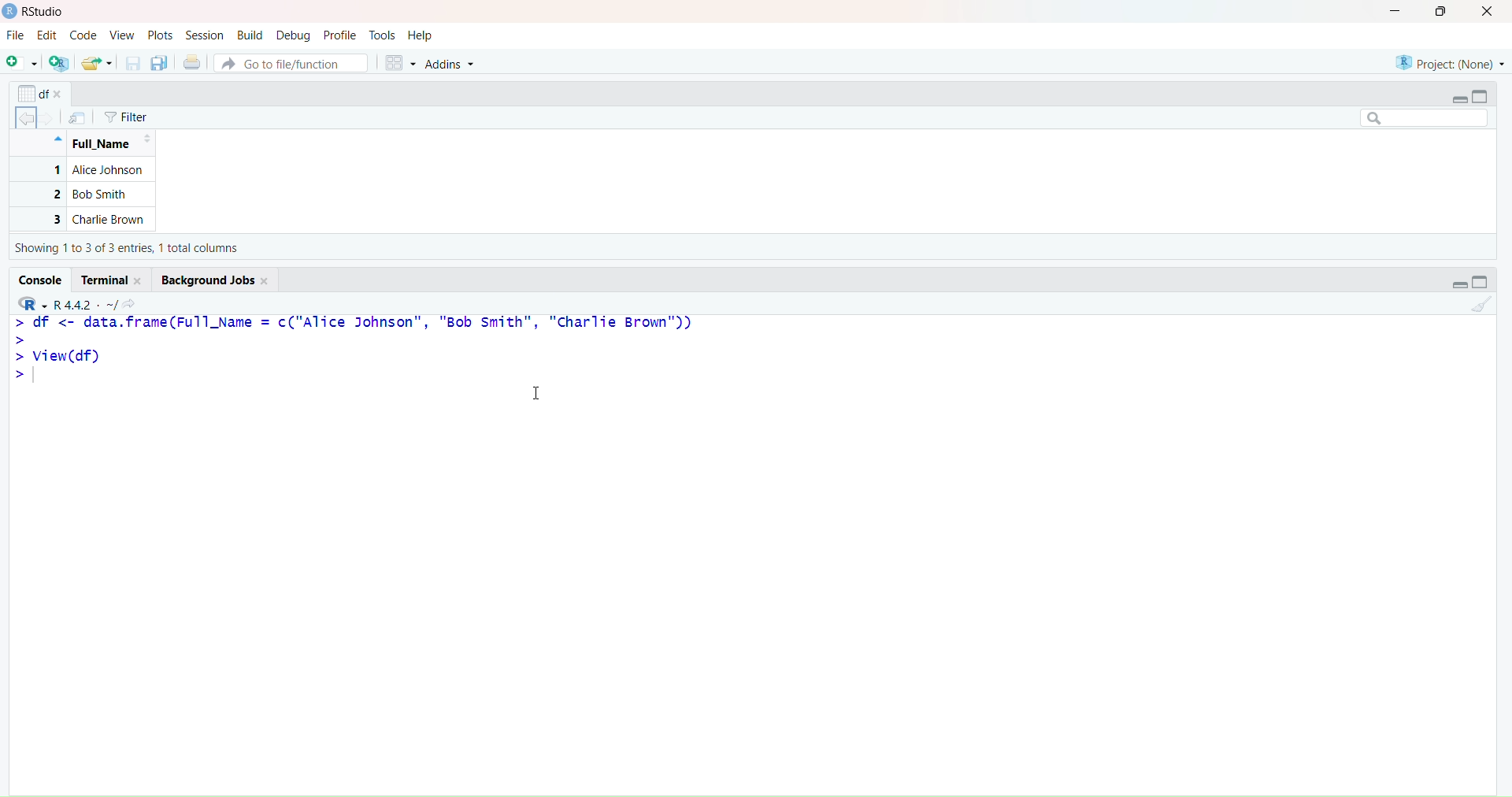 The height and width of the screenshot is (797, 1512). Describe the element at coordinates (291, 62) in the screenshot. I see `Go to file/function` at that location.